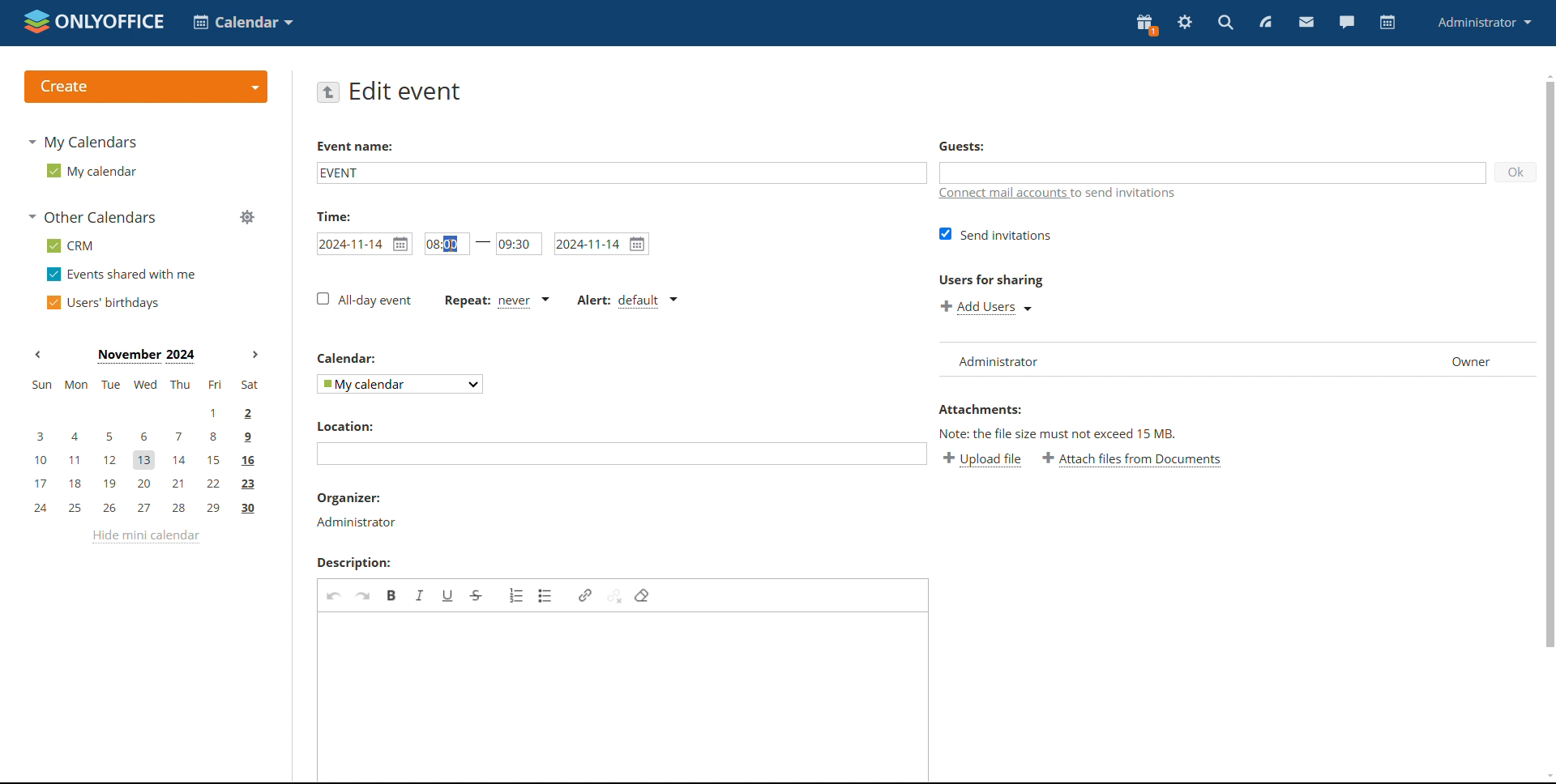 This screenshot has width=1556, height=784. Describe the element at coordinates (345, 359) in the screenshot. I see `calendar` at that location.